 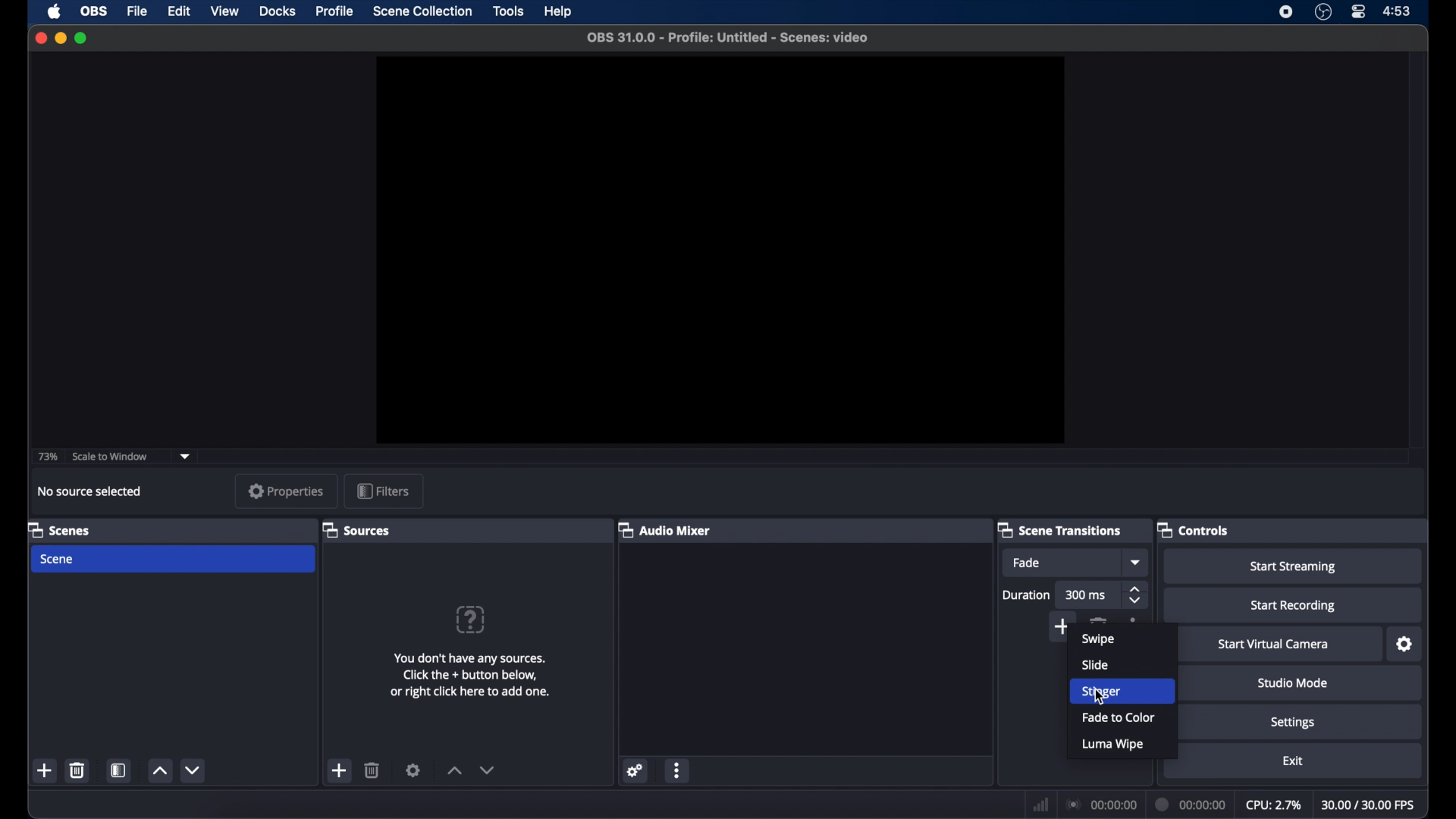 I want to click on delete, so click(x=77, y=769).